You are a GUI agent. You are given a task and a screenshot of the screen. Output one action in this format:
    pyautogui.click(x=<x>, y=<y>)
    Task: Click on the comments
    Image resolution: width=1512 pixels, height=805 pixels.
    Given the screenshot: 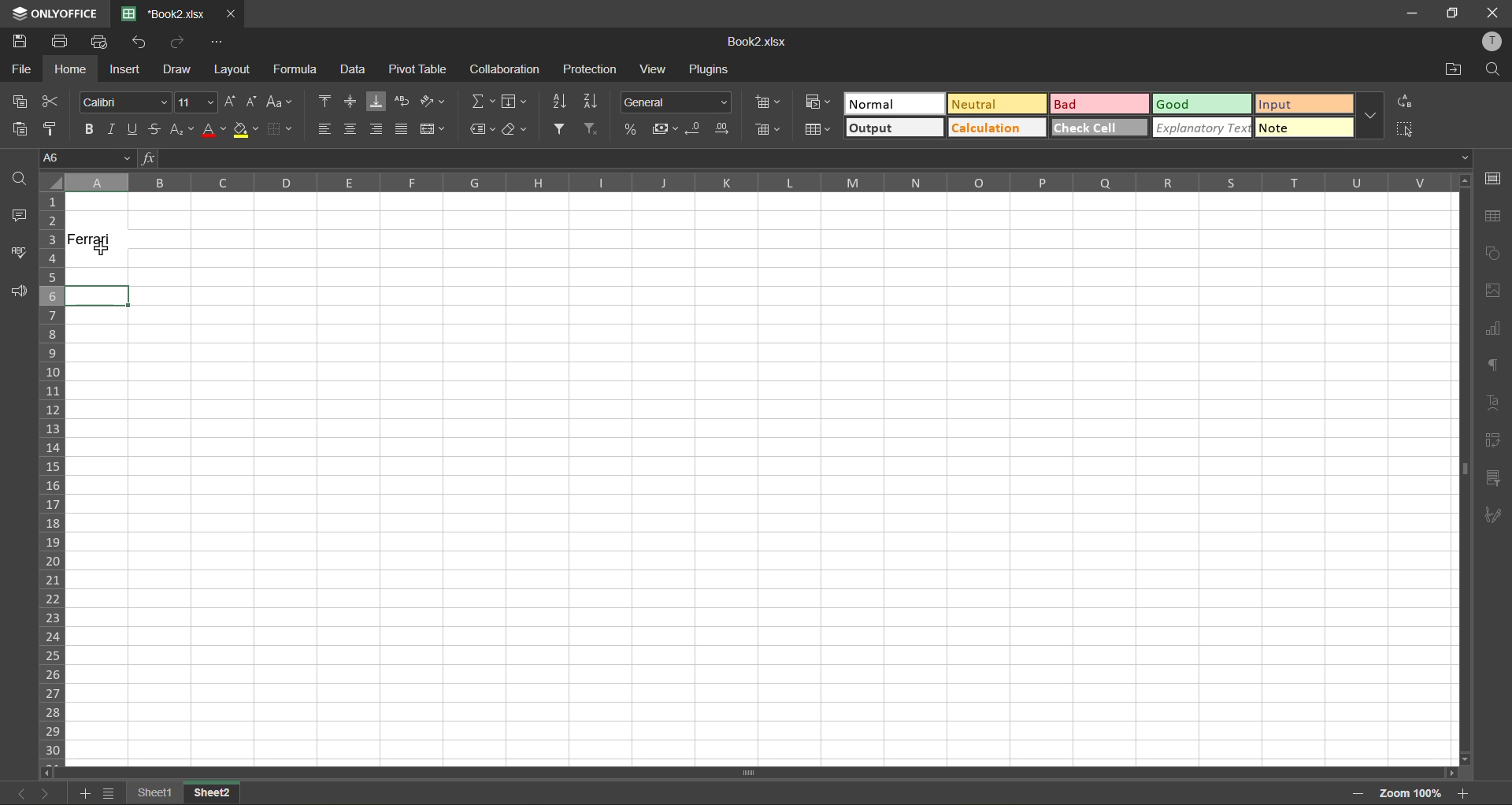 What is the action you would take?
    pyautogui.click(x=15, y=215)
    